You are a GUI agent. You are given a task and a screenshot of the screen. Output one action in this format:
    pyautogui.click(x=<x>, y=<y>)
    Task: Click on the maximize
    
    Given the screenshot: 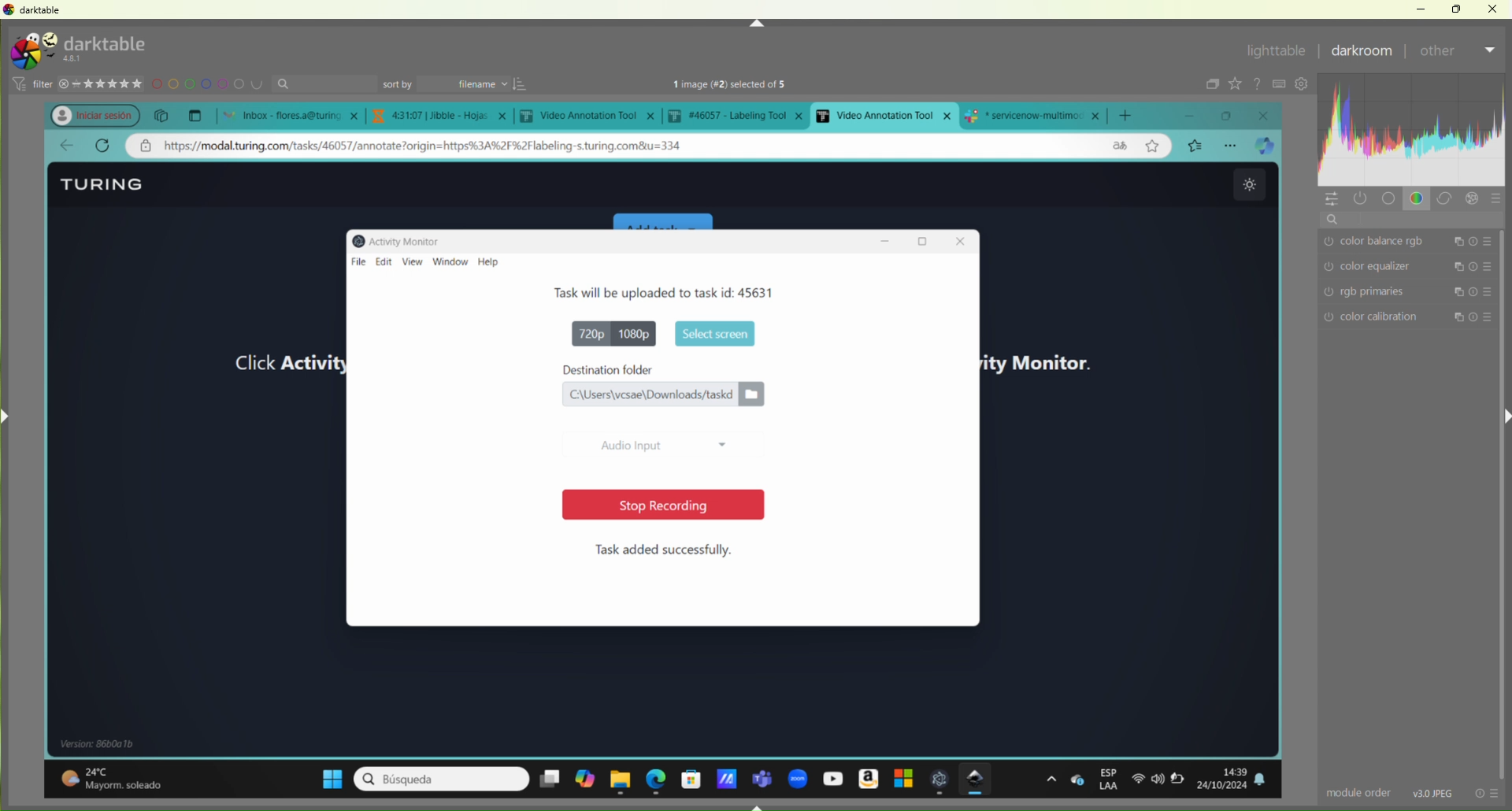 What is the action you would take?
    pyautogui.click(x=1232, y=116)
    